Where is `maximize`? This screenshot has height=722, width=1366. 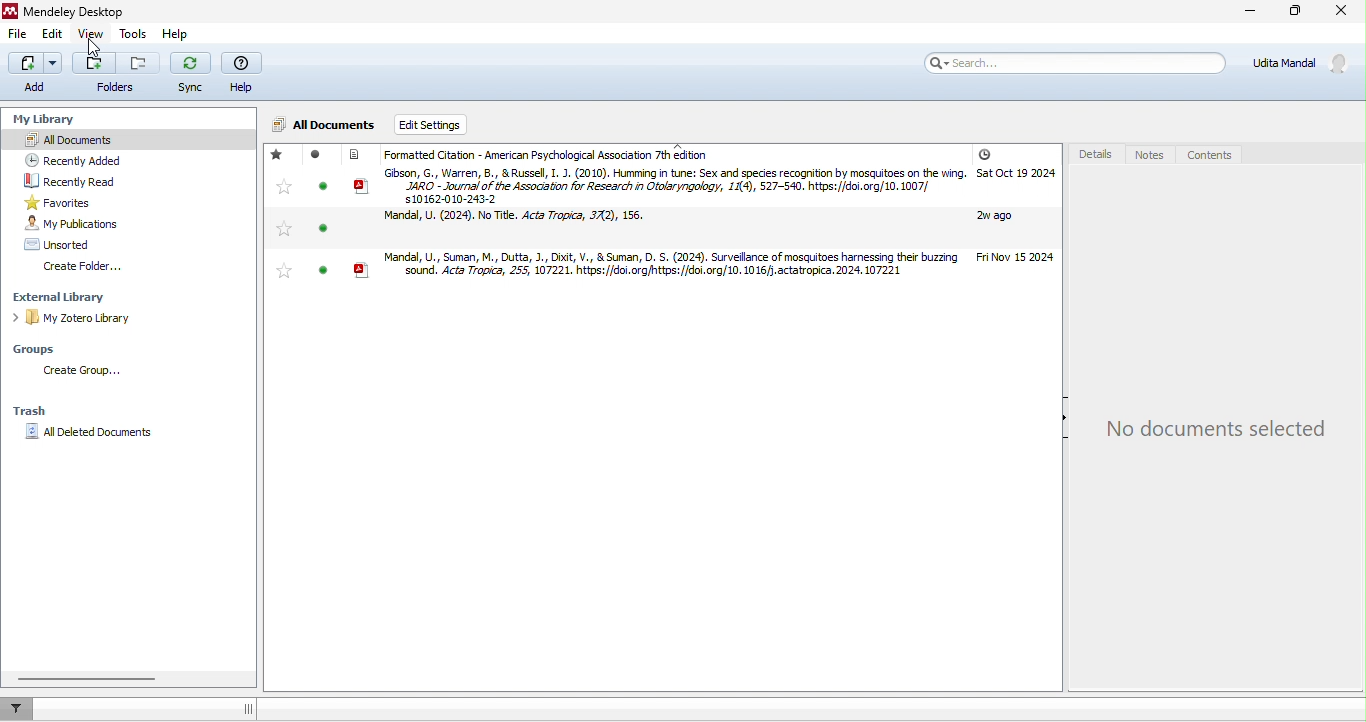
maximize is located at coordinates (1295, 14).